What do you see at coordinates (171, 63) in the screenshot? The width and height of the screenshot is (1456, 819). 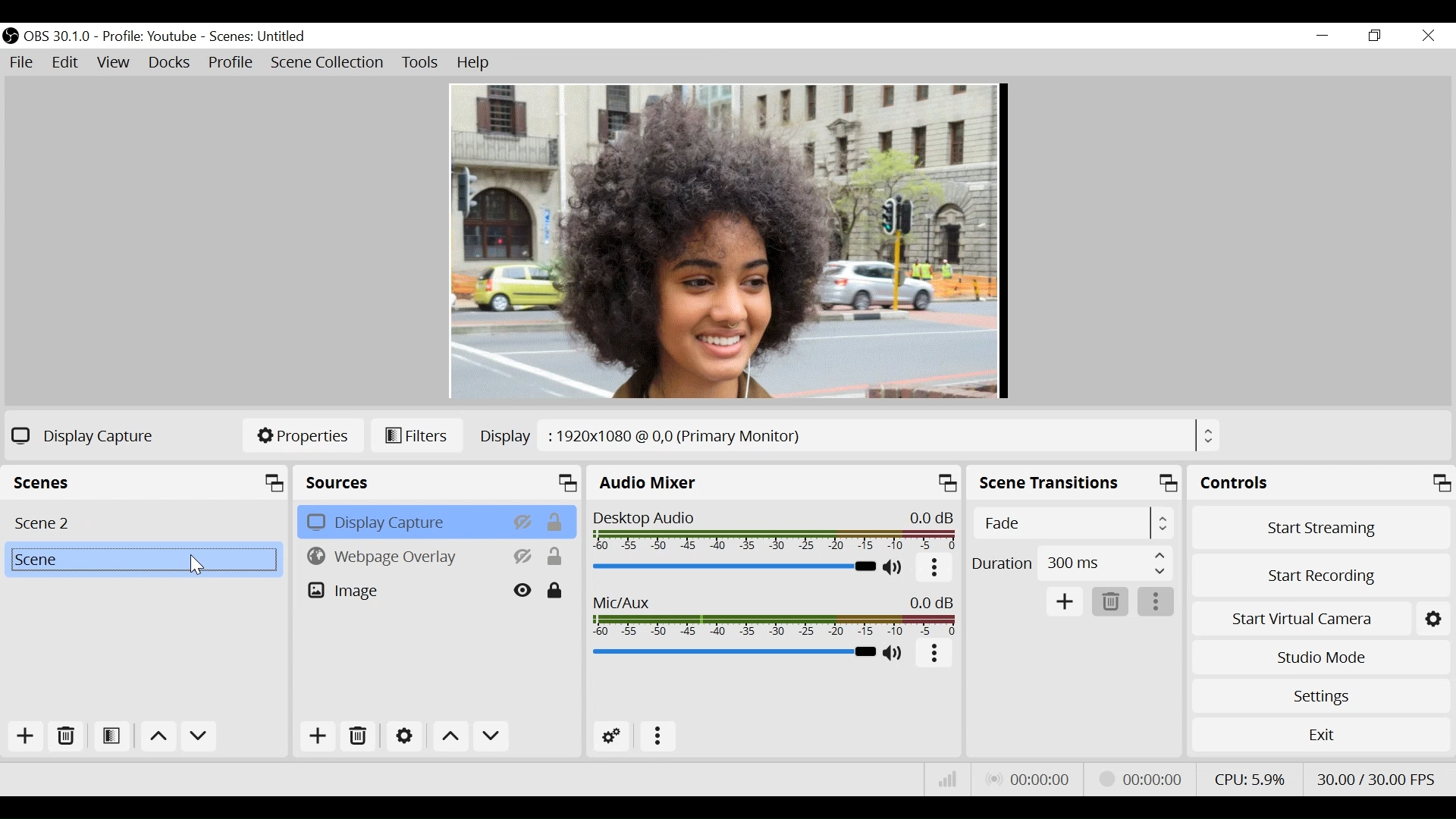 I see `Docks` at bounding box center [171, 63].